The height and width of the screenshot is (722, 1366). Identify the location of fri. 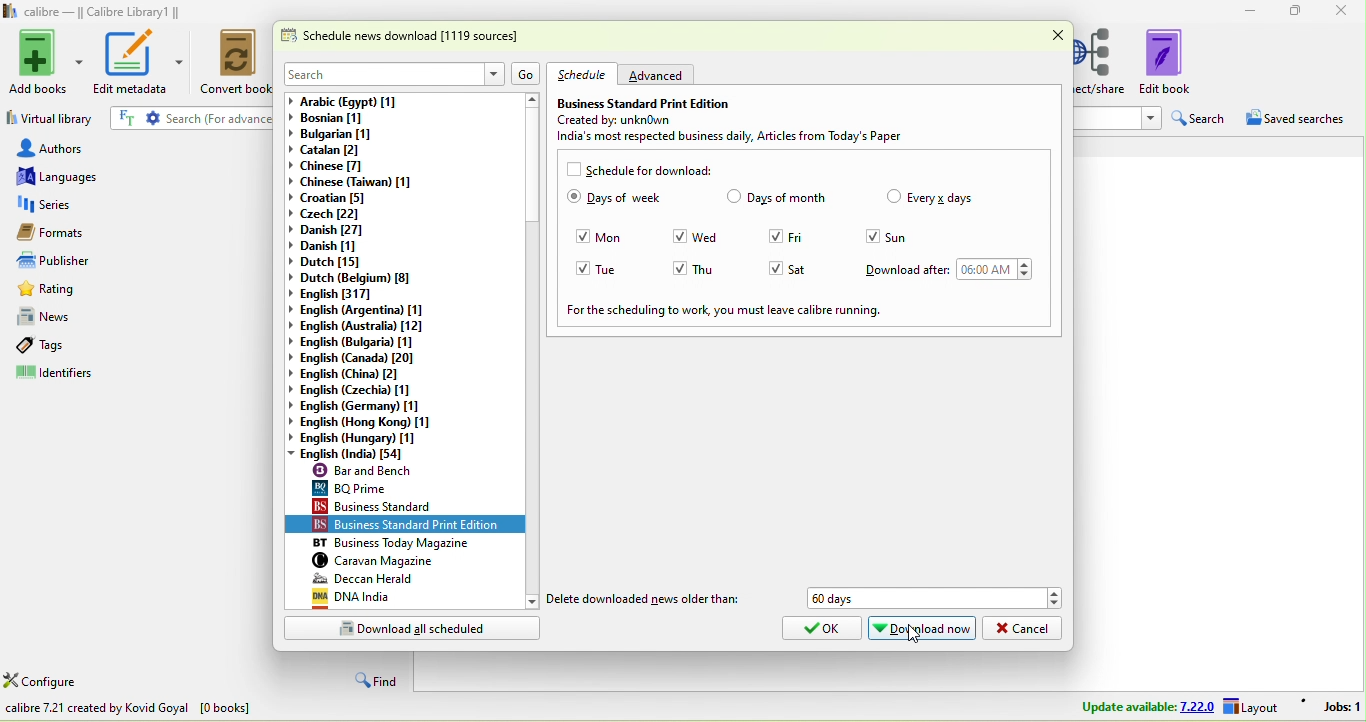
(811, 236).